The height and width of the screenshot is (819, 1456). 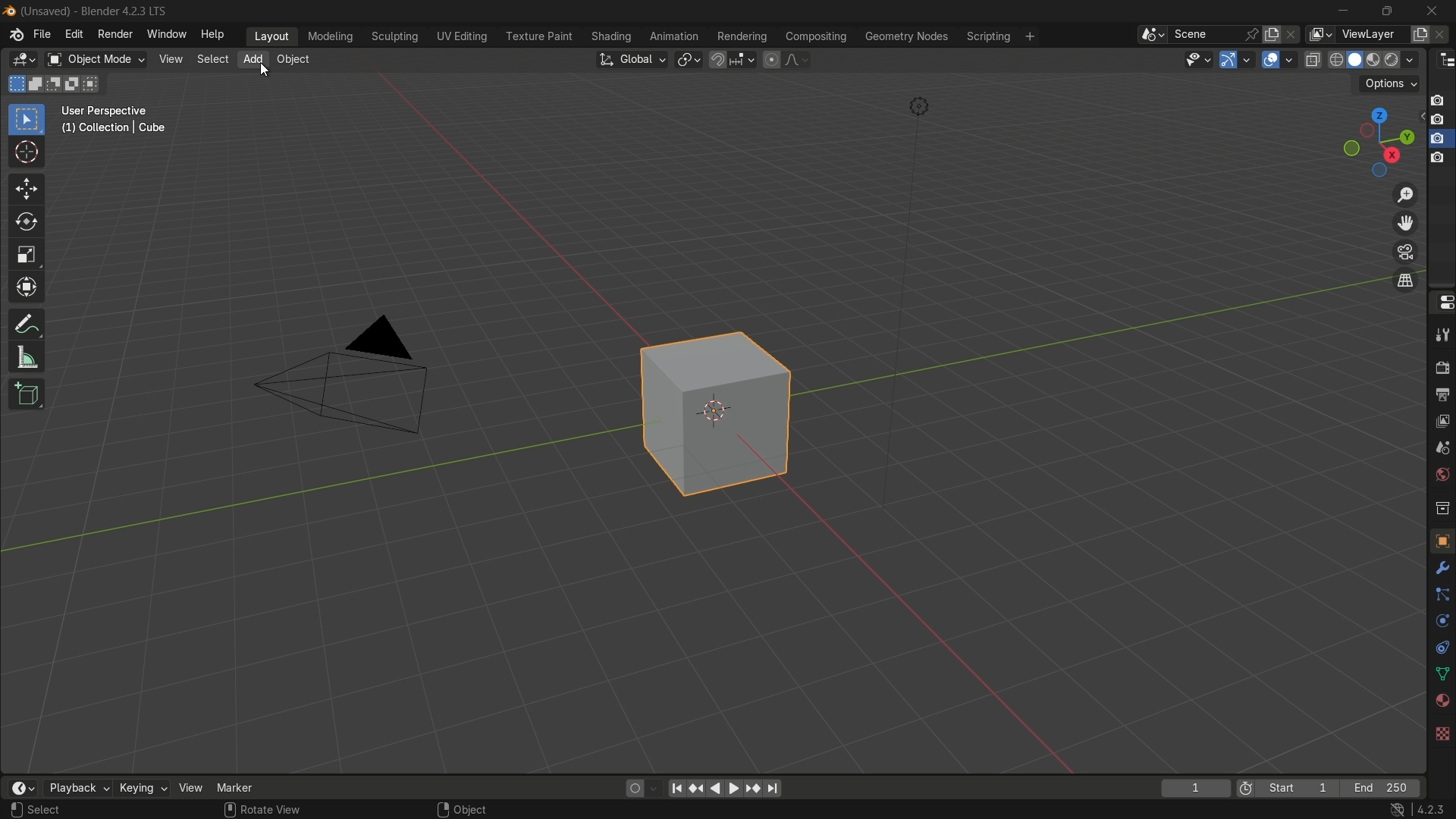 I want to click on switch the current view, so click(x=1404, y=280).